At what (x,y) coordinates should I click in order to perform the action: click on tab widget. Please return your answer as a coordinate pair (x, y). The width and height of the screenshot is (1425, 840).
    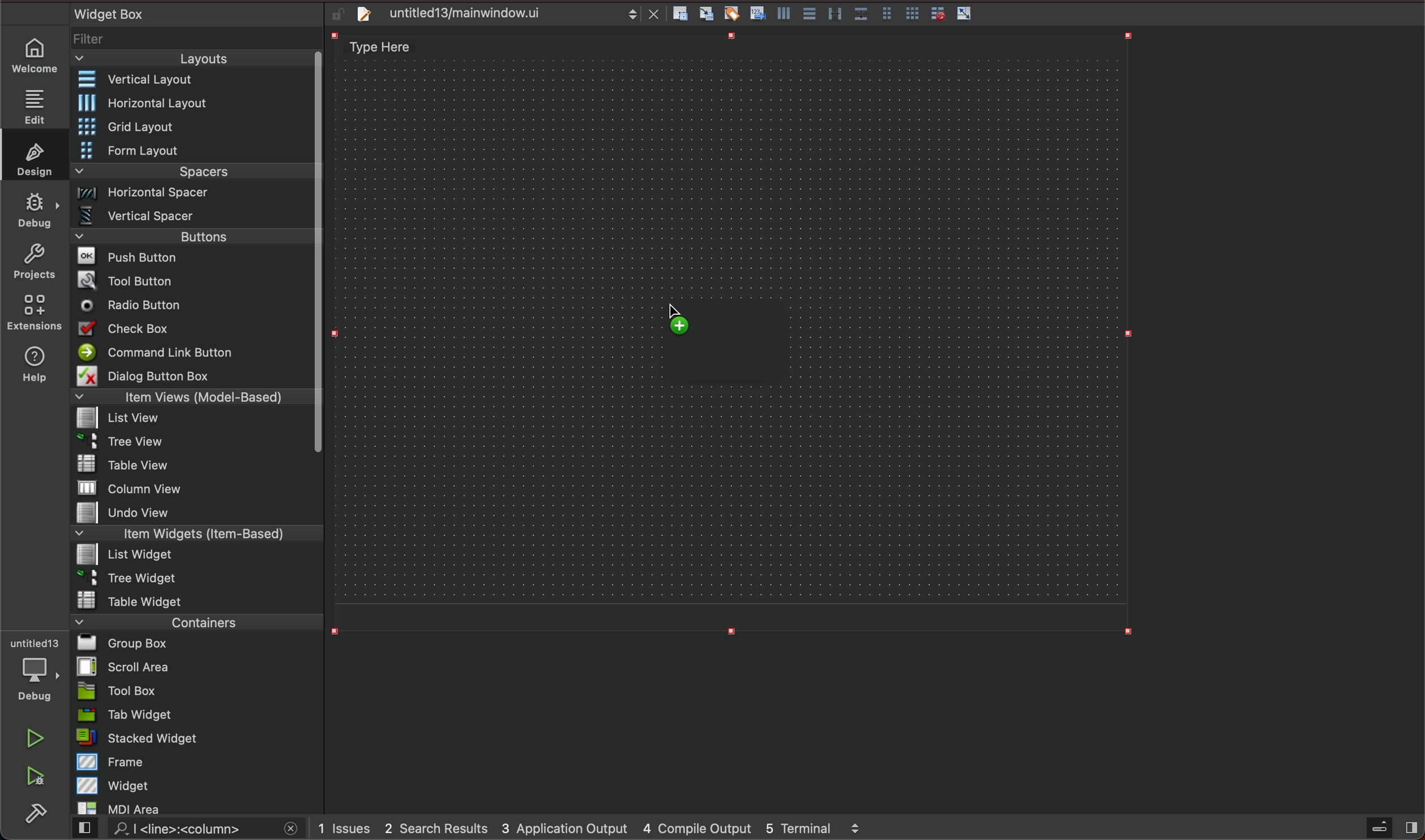
    Looking at the image, I should click on (194, 715).